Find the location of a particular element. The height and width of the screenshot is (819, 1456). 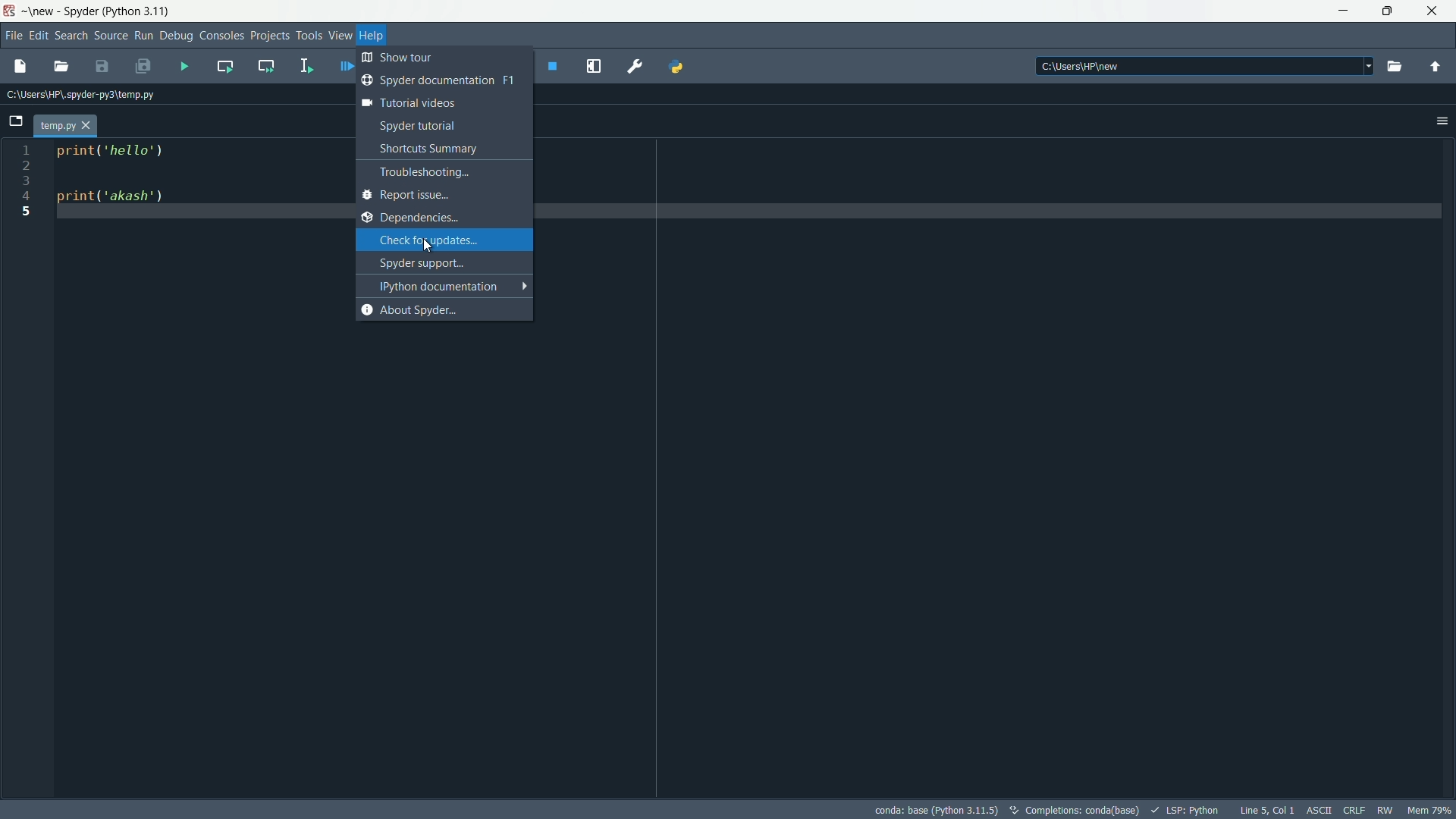

view menu is located at coordinates (340, 35).